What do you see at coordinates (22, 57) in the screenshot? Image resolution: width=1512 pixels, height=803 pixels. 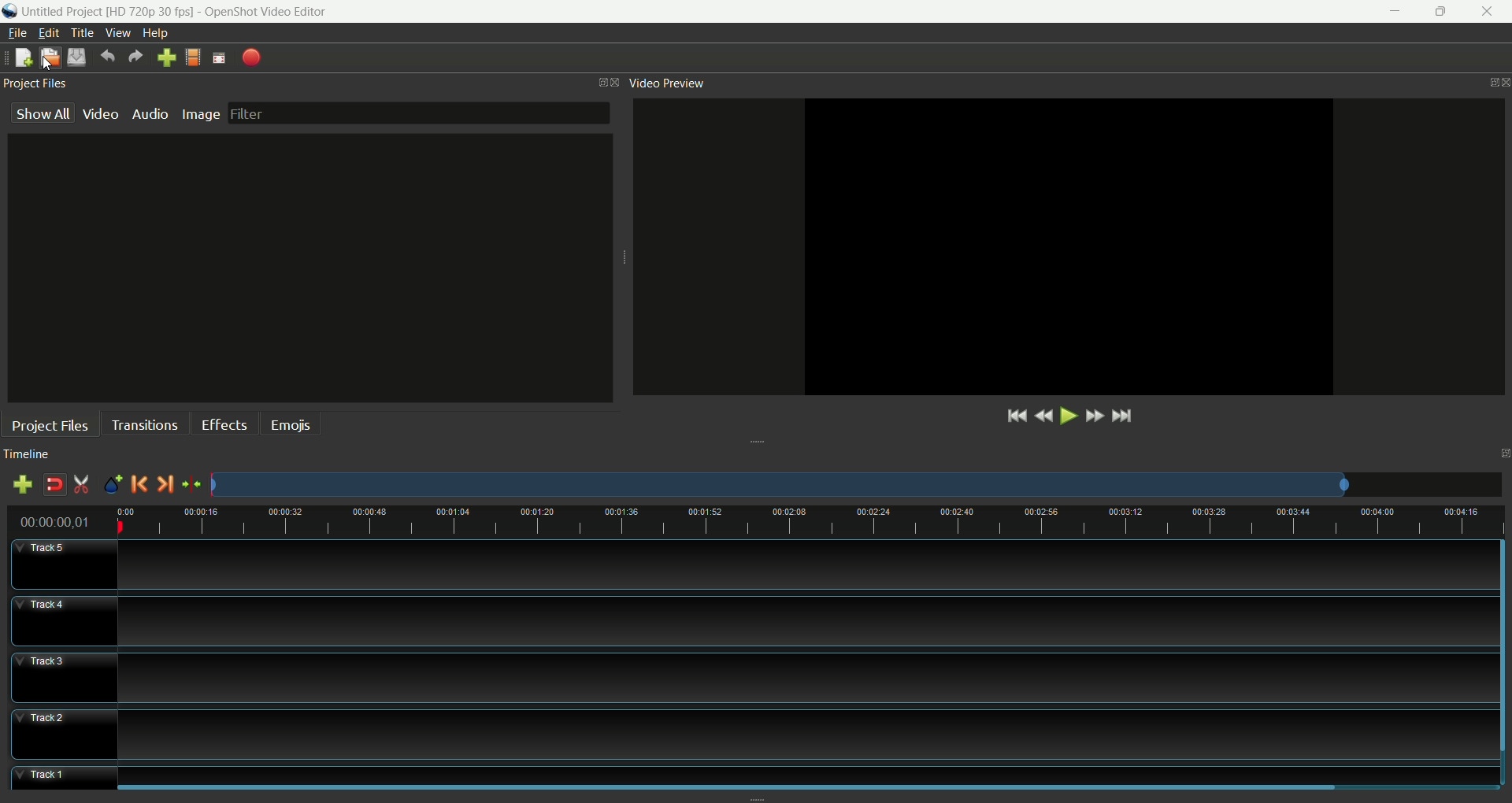 I see `new project` at bounding box center [22, 57].